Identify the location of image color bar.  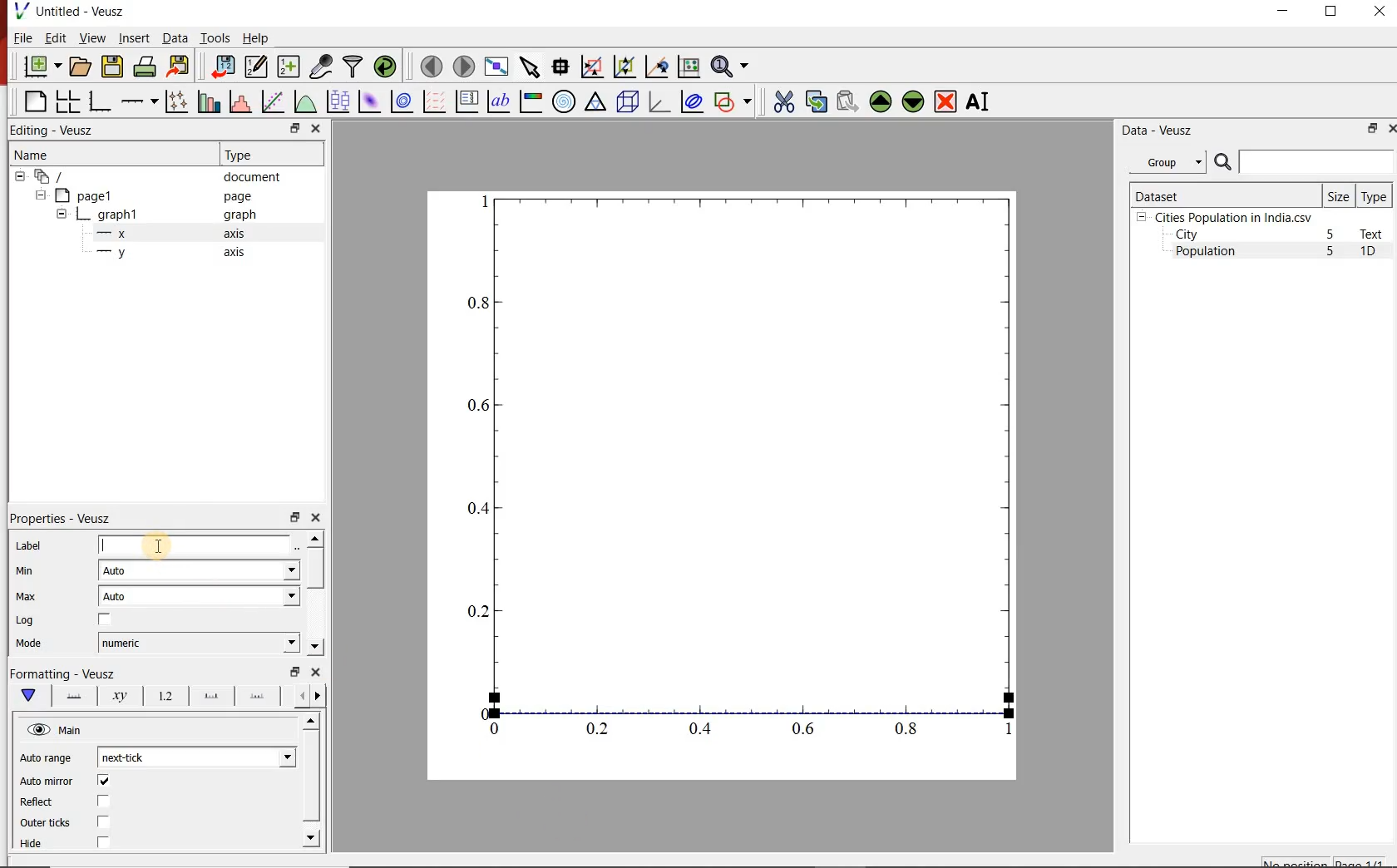
(531, 101).